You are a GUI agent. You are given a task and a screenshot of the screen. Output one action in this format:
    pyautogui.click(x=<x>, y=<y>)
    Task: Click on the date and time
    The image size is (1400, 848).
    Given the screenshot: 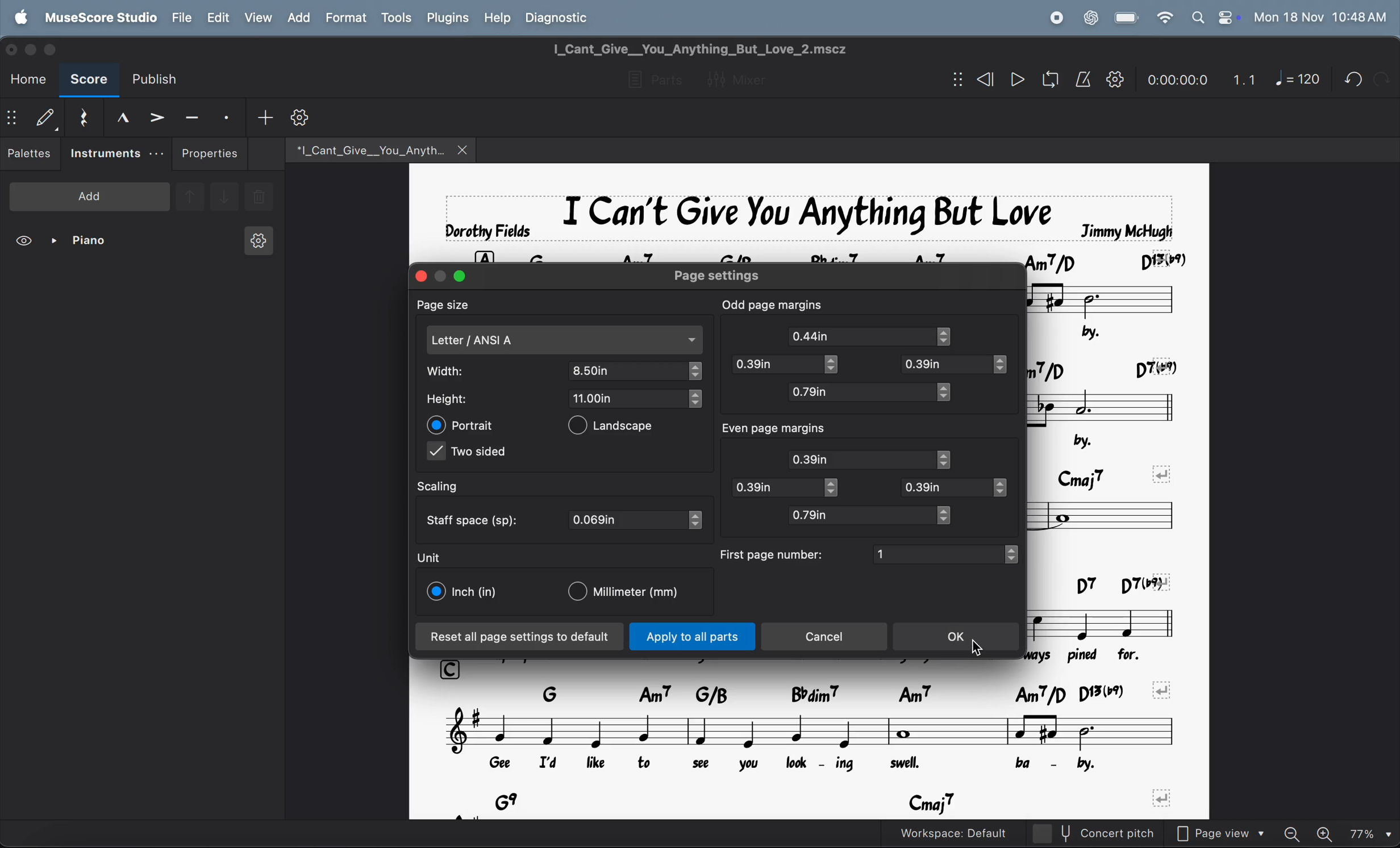 What is the action you would take?
    pyautogui.click(x=1320, y=16)
    